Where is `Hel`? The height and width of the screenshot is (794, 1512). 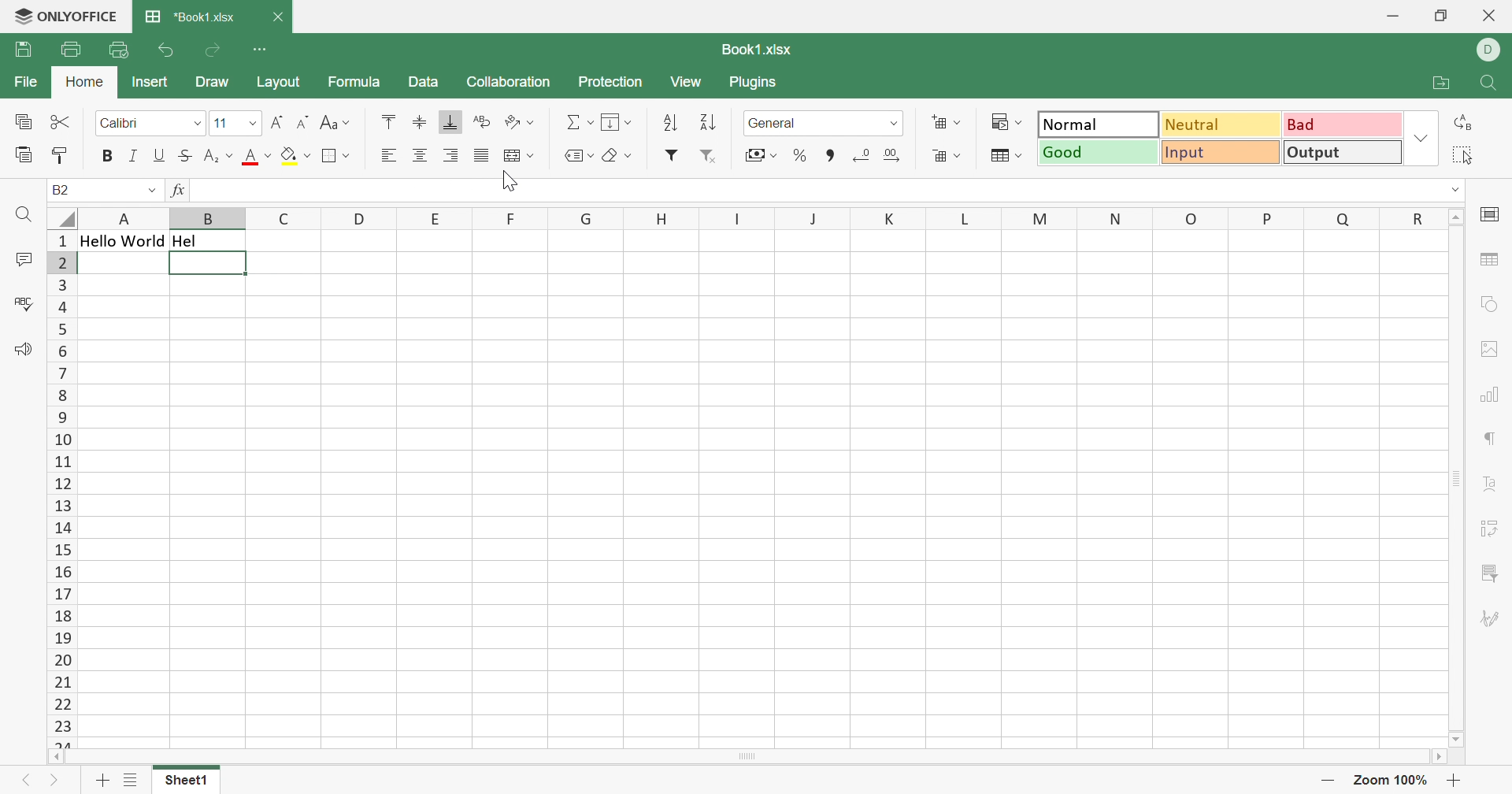 Hel is located at coordinates (187, 239).